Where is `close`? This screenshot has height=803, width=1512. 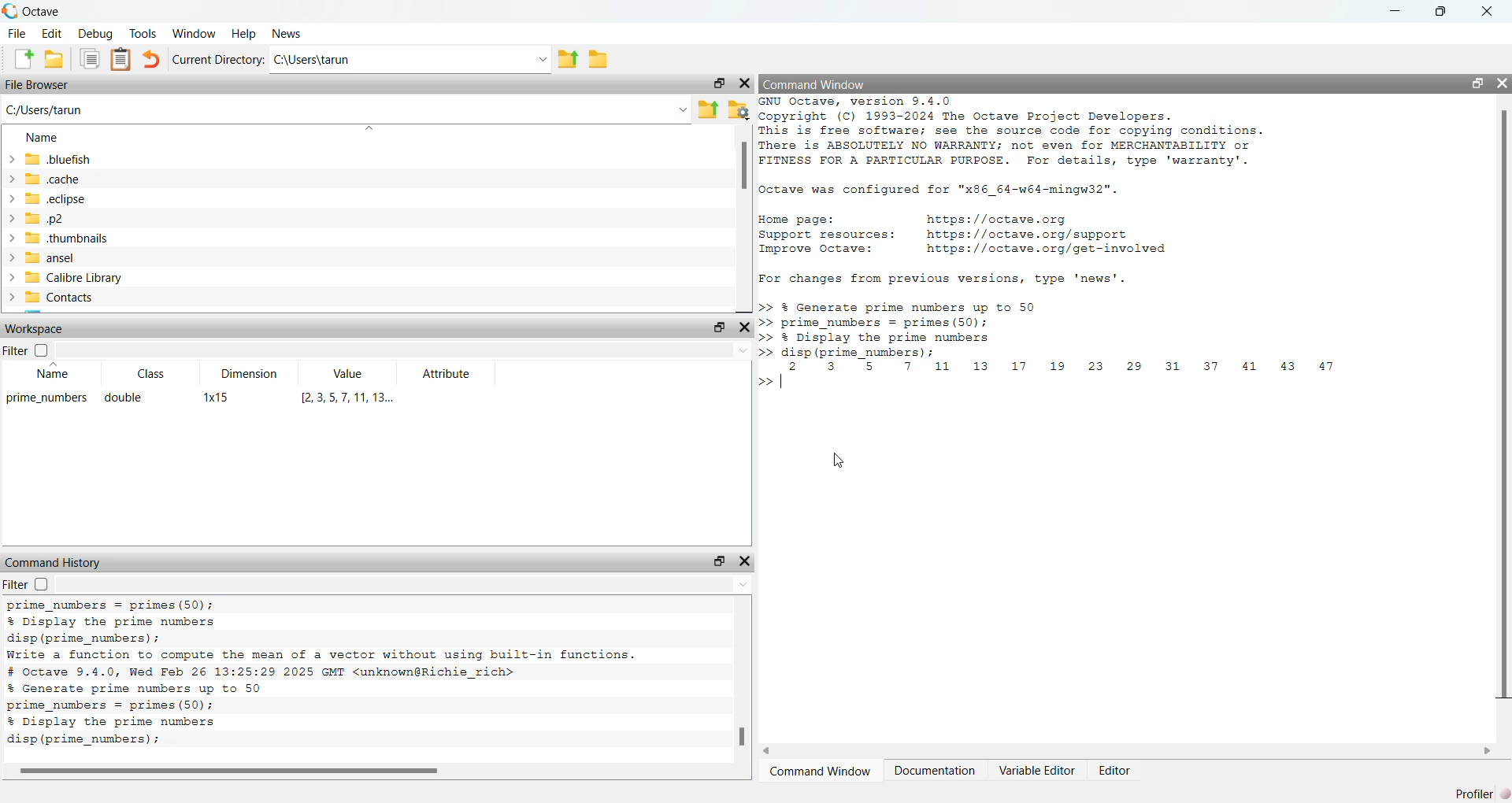 close is located at coordinates (1488, 9).